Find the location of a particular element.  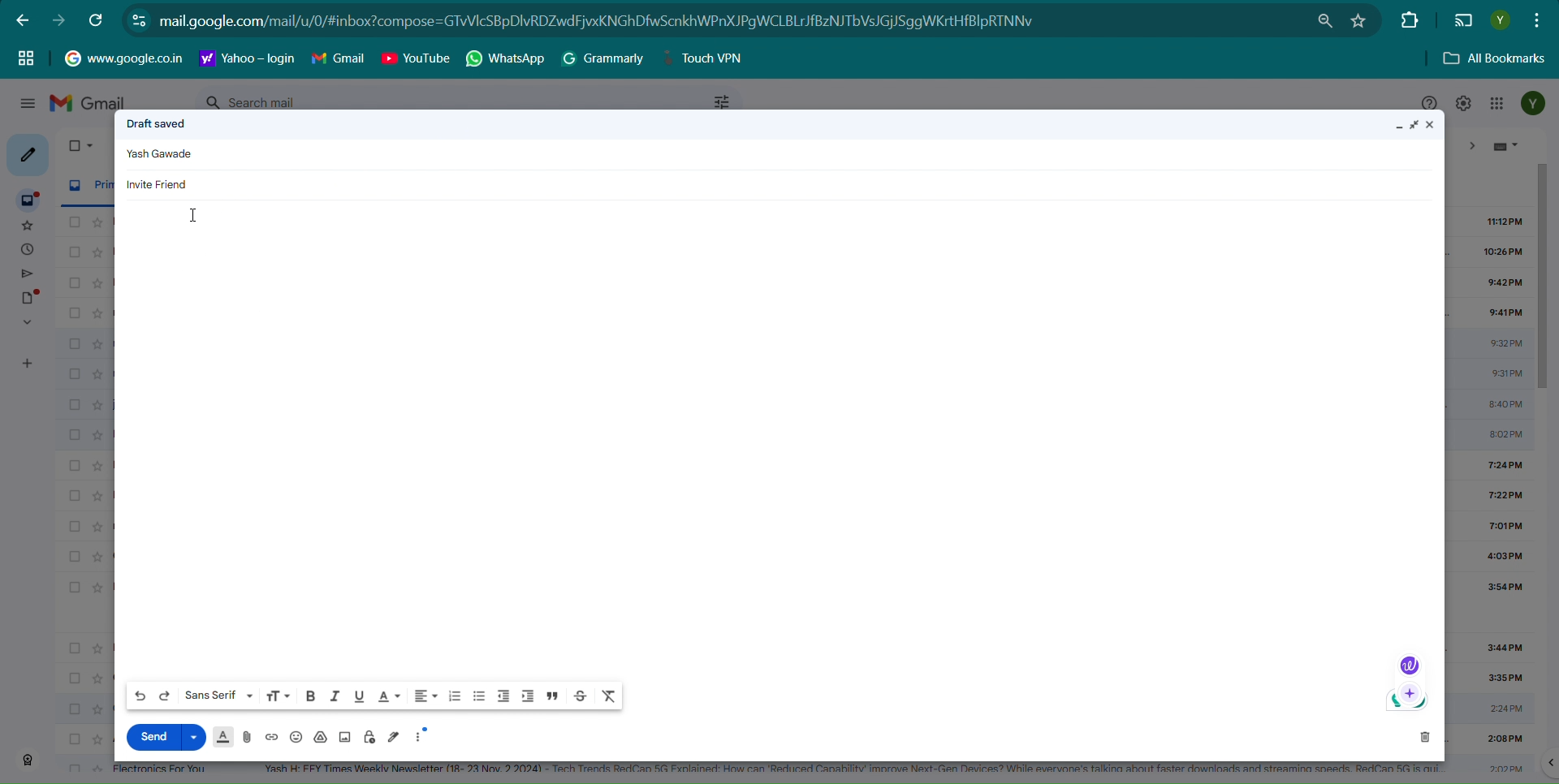

More Option is located at coordinates (423, 734).